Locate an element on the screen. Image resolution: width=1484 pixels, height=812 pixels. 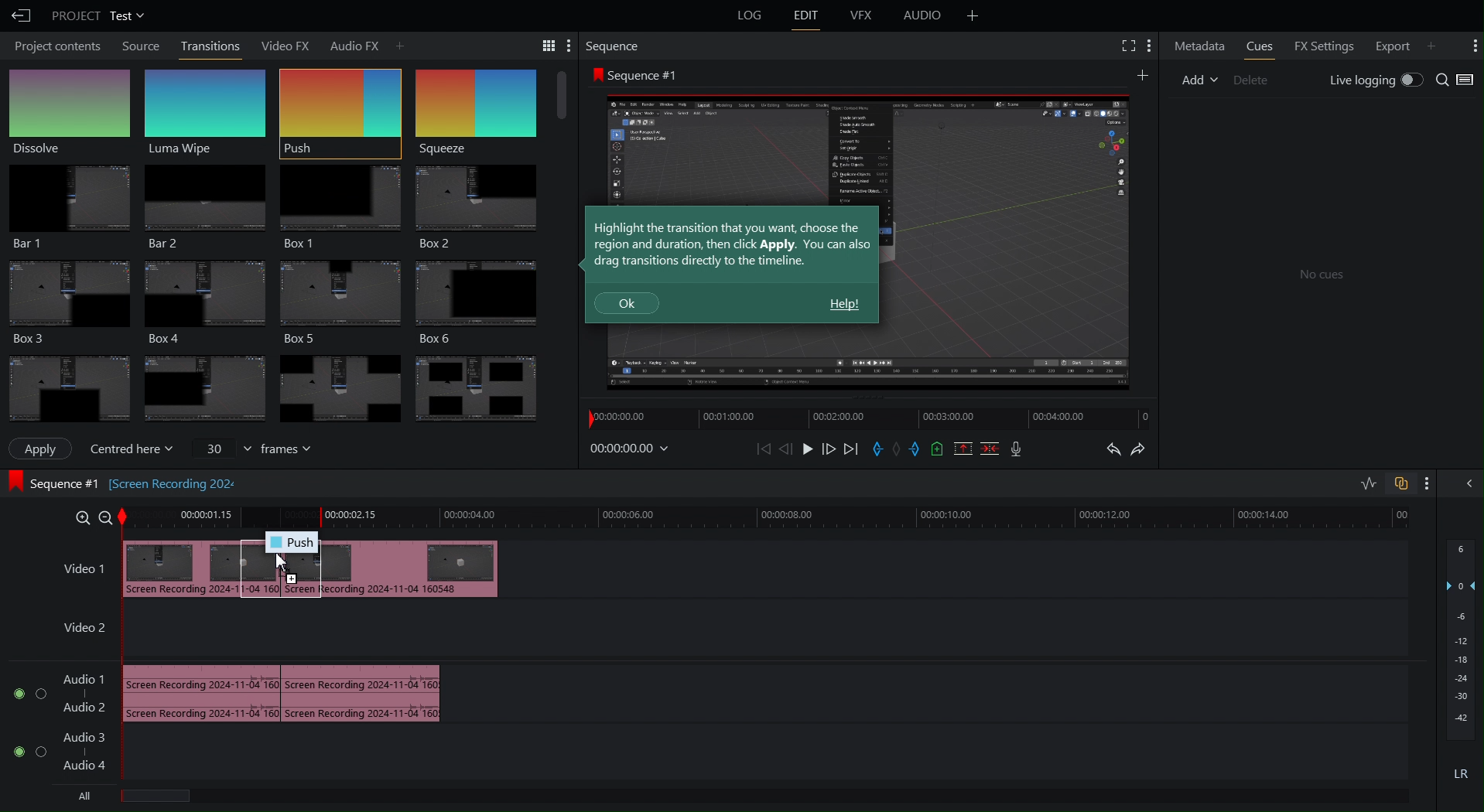
Add is located at coordinates (398, 44).